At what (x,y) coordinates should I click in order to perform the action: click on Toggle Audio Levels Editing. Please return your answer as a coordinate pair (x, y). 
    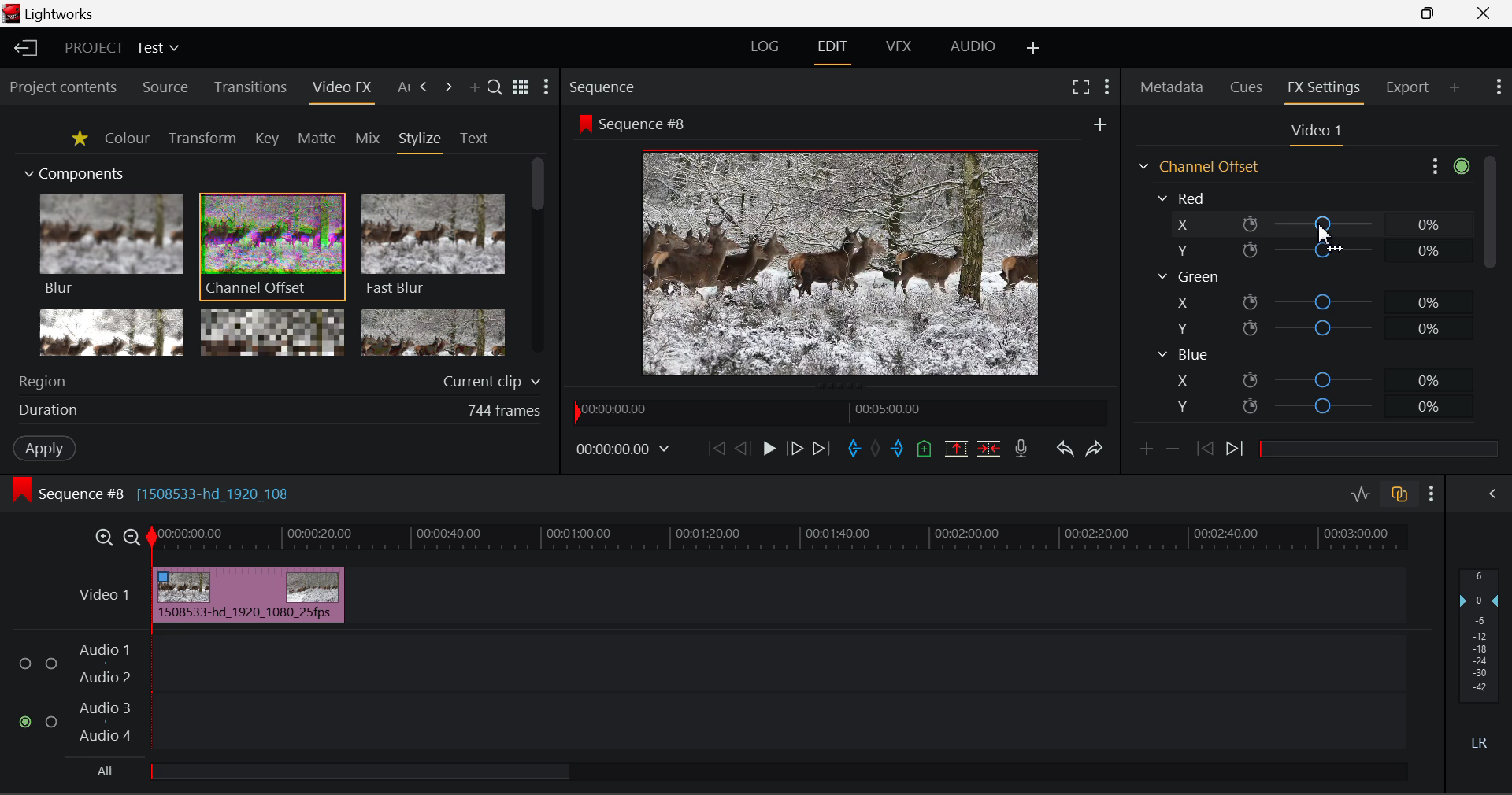
    Looking at the image, I should click on (1362, 495).